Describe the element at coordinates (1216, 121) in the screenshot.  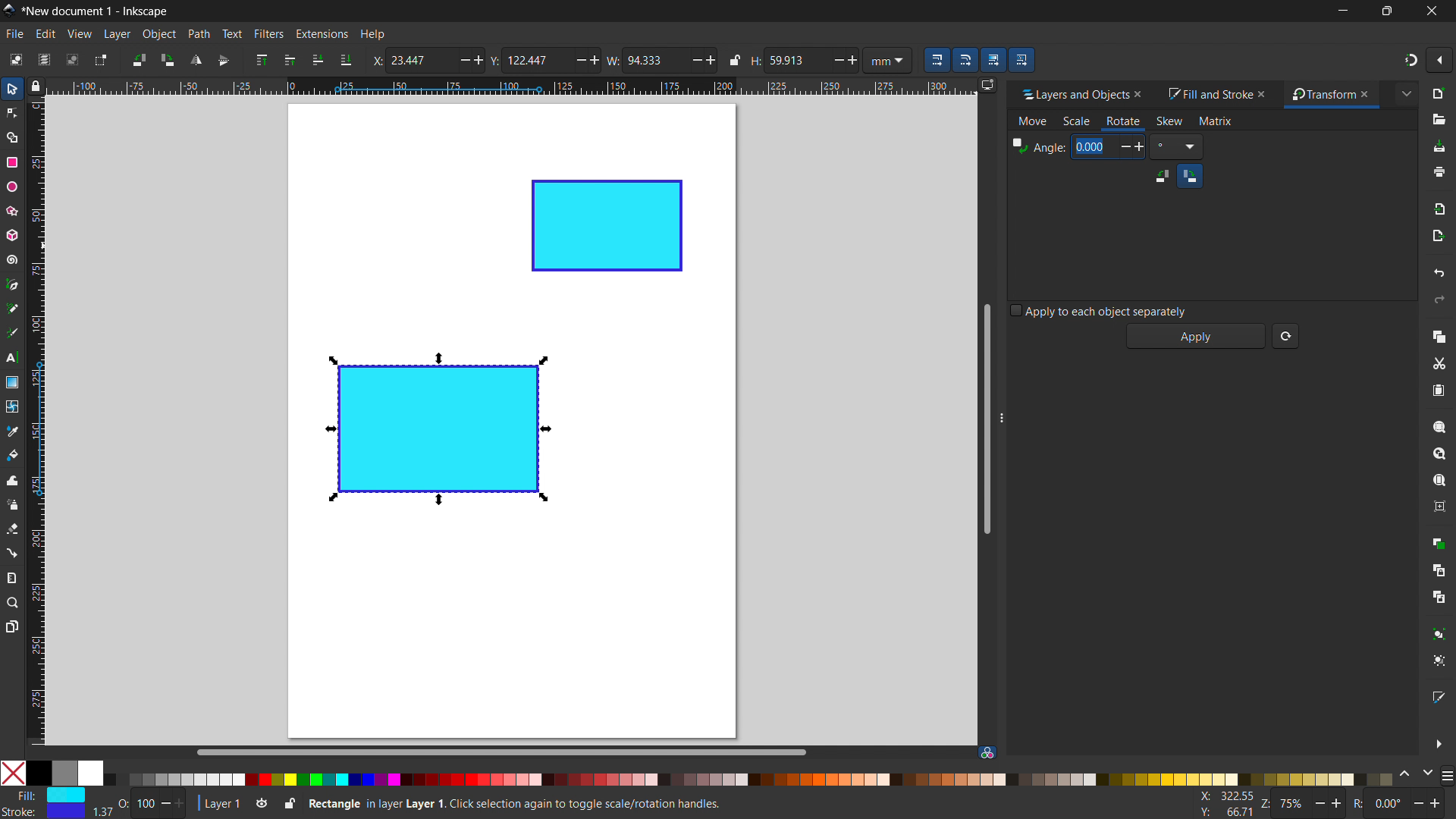
I see `matrix` at that location.